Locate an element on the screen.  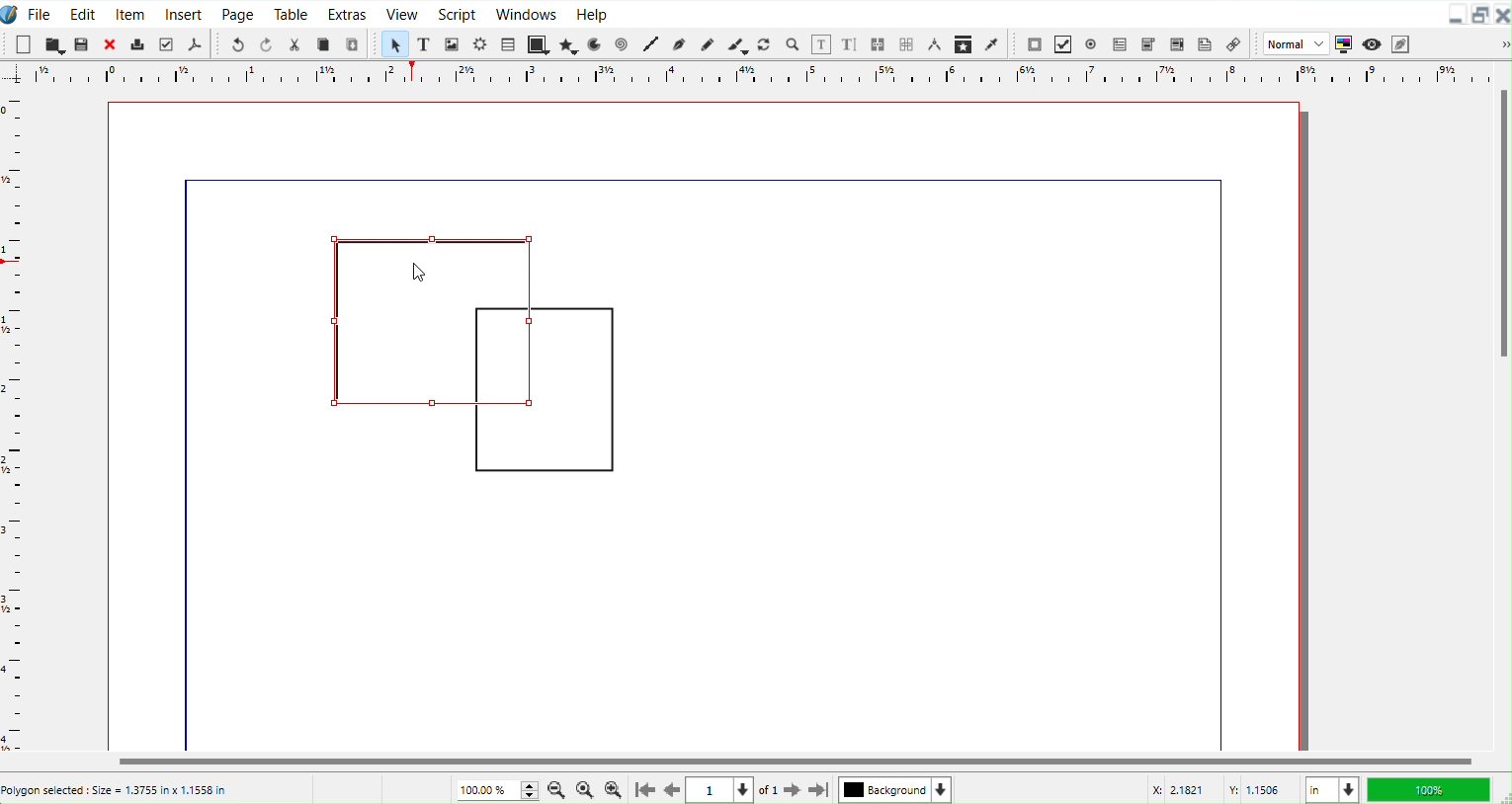
Line is located at coordinates (653, 45).